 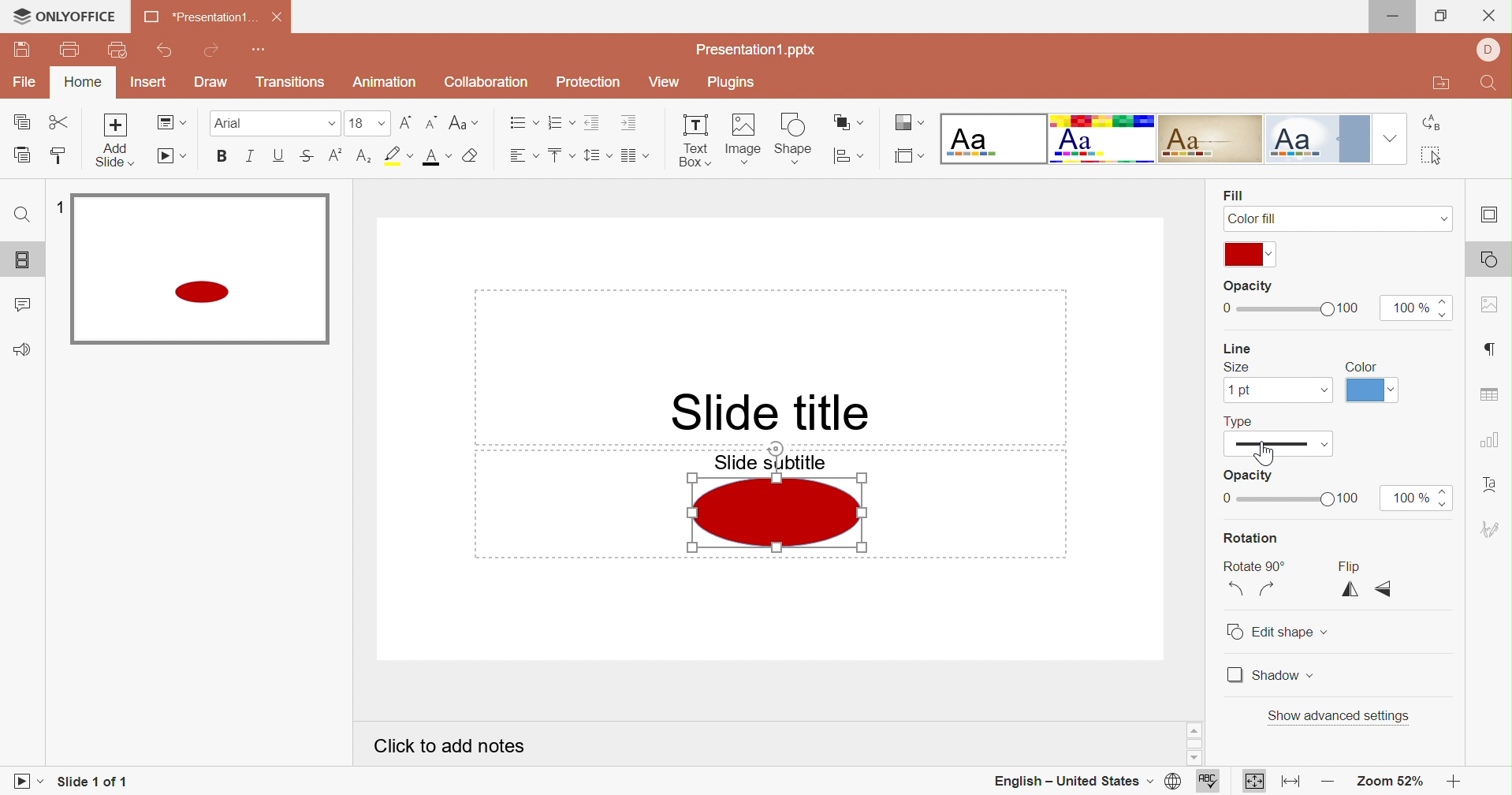 I want to click on Select slide size, so click(x=909, y=156).